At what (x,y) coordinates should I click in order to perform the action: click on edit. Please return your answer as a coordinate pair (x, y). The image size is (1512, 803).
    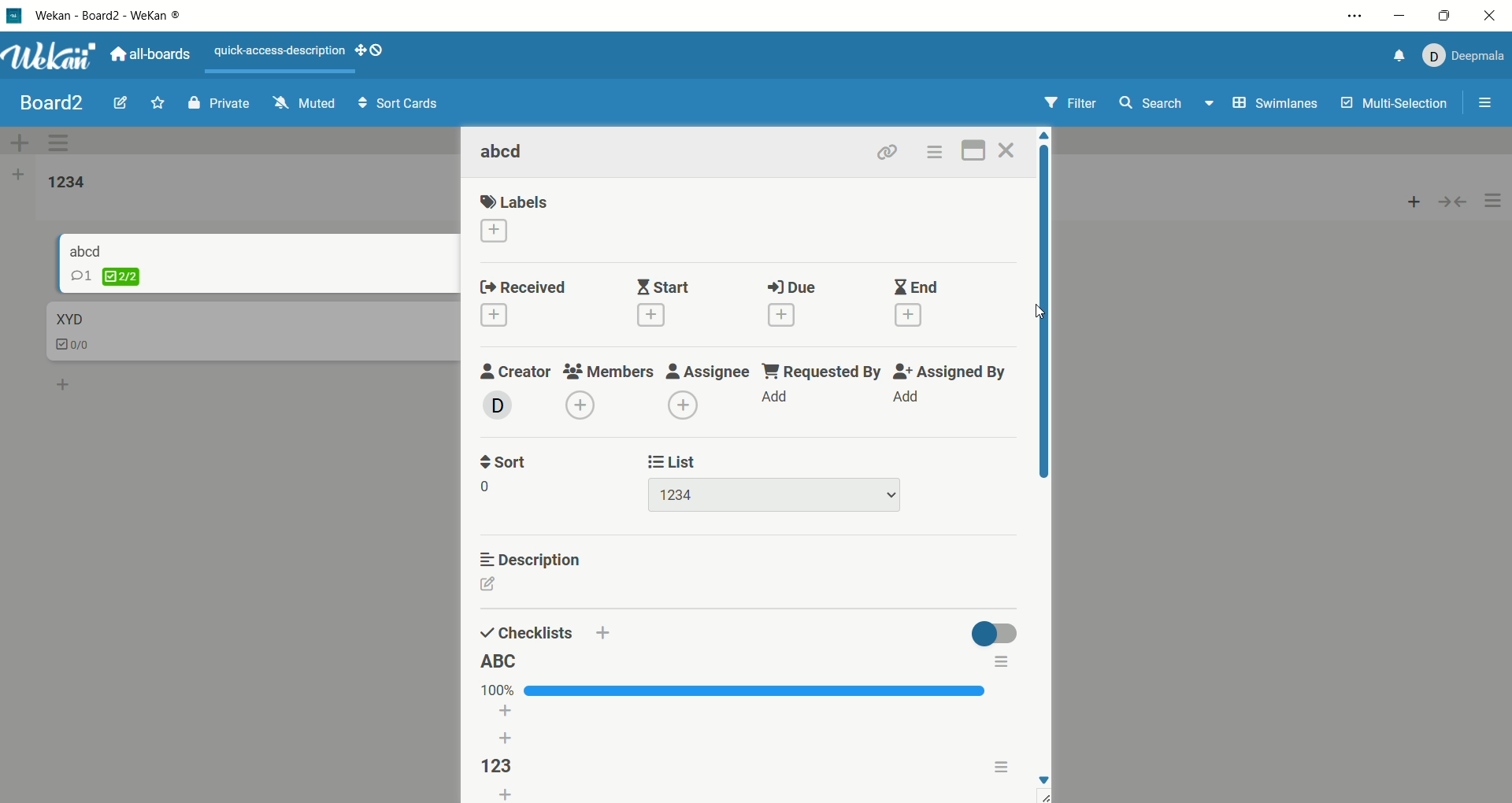
    Looking at the image, I should click on (505, 585).